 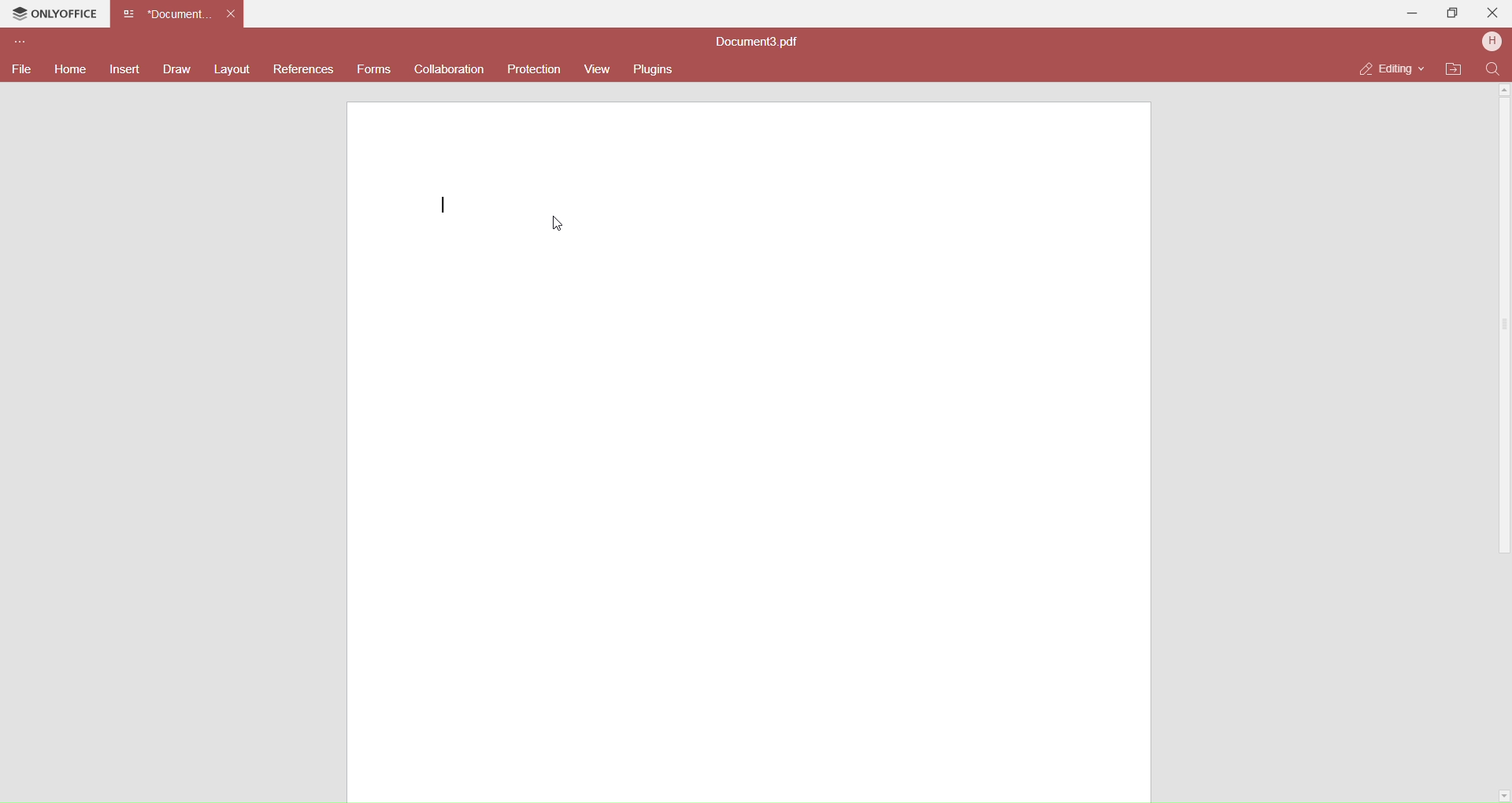 I want to click on Open file location, so click(x=1455, y=69).